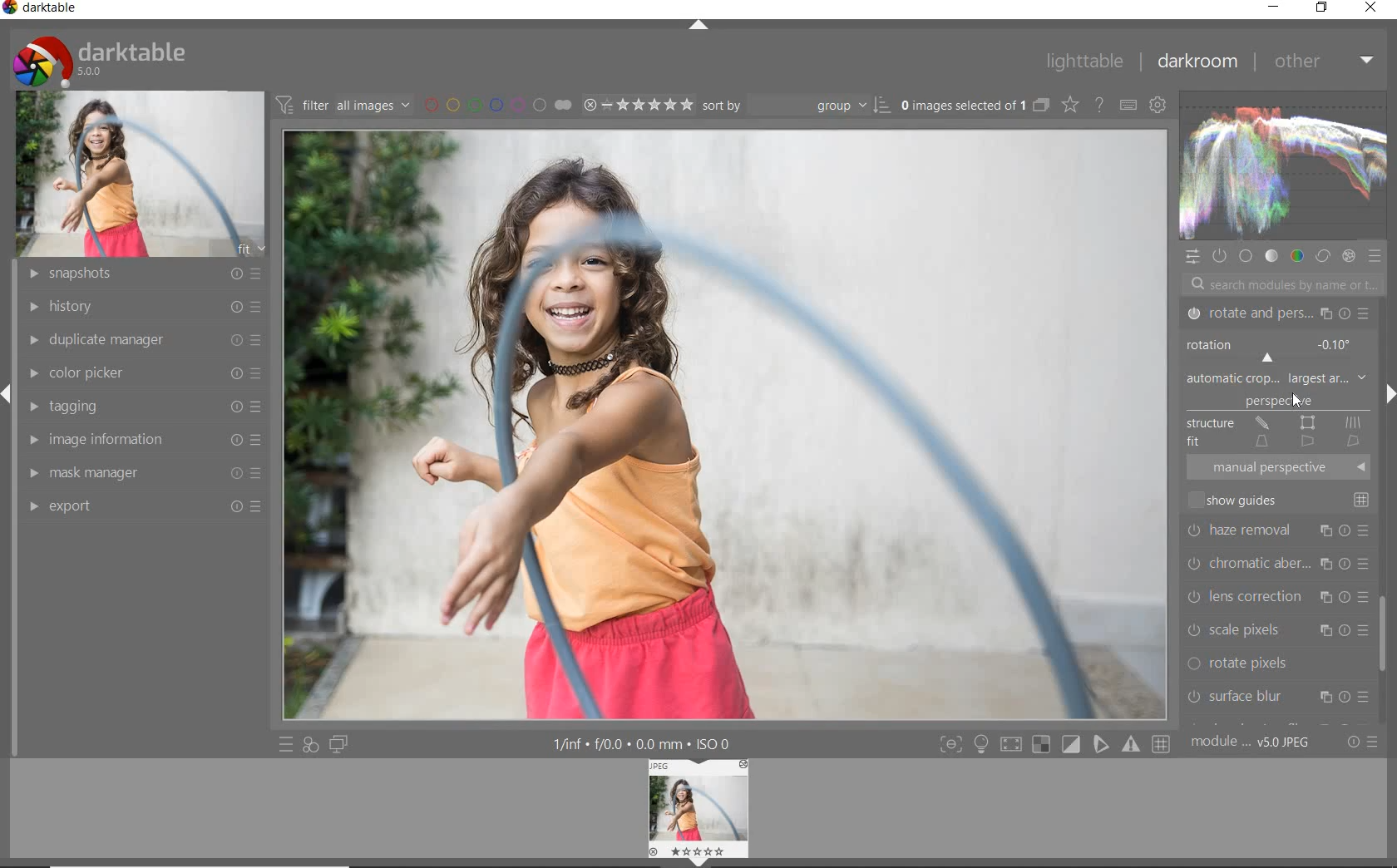 Image resolution: width=1397 pixels, height=868 pixels. What do you see at coordinates (1279, 530) in the screenshot?
I see `haze removal` at bounding box center [1279, 530].